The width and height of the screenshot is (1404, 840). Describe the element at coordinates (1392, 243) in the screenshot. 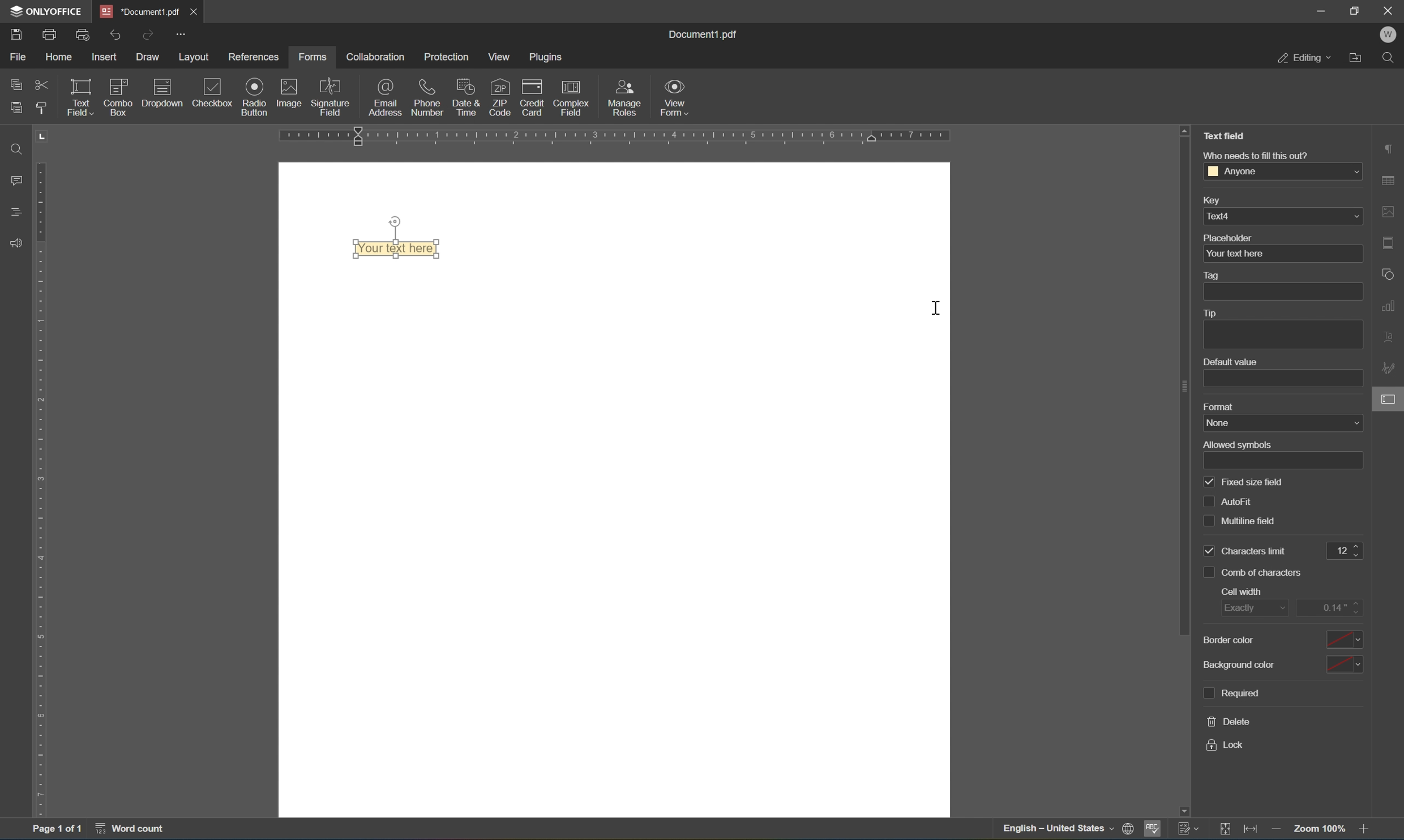

I see `header and footer settings` at that location.